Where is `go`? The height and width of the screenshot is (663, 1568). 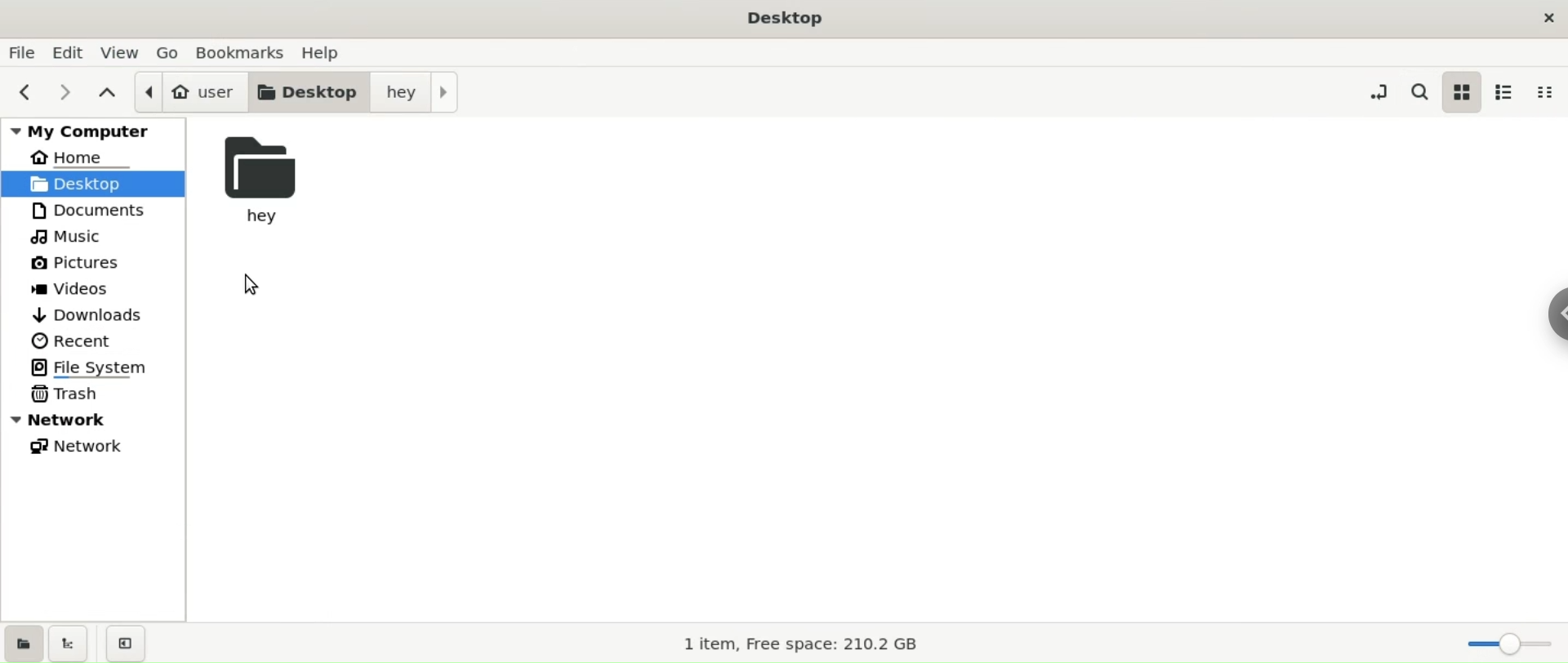
go is located at coordinates (171, 52).